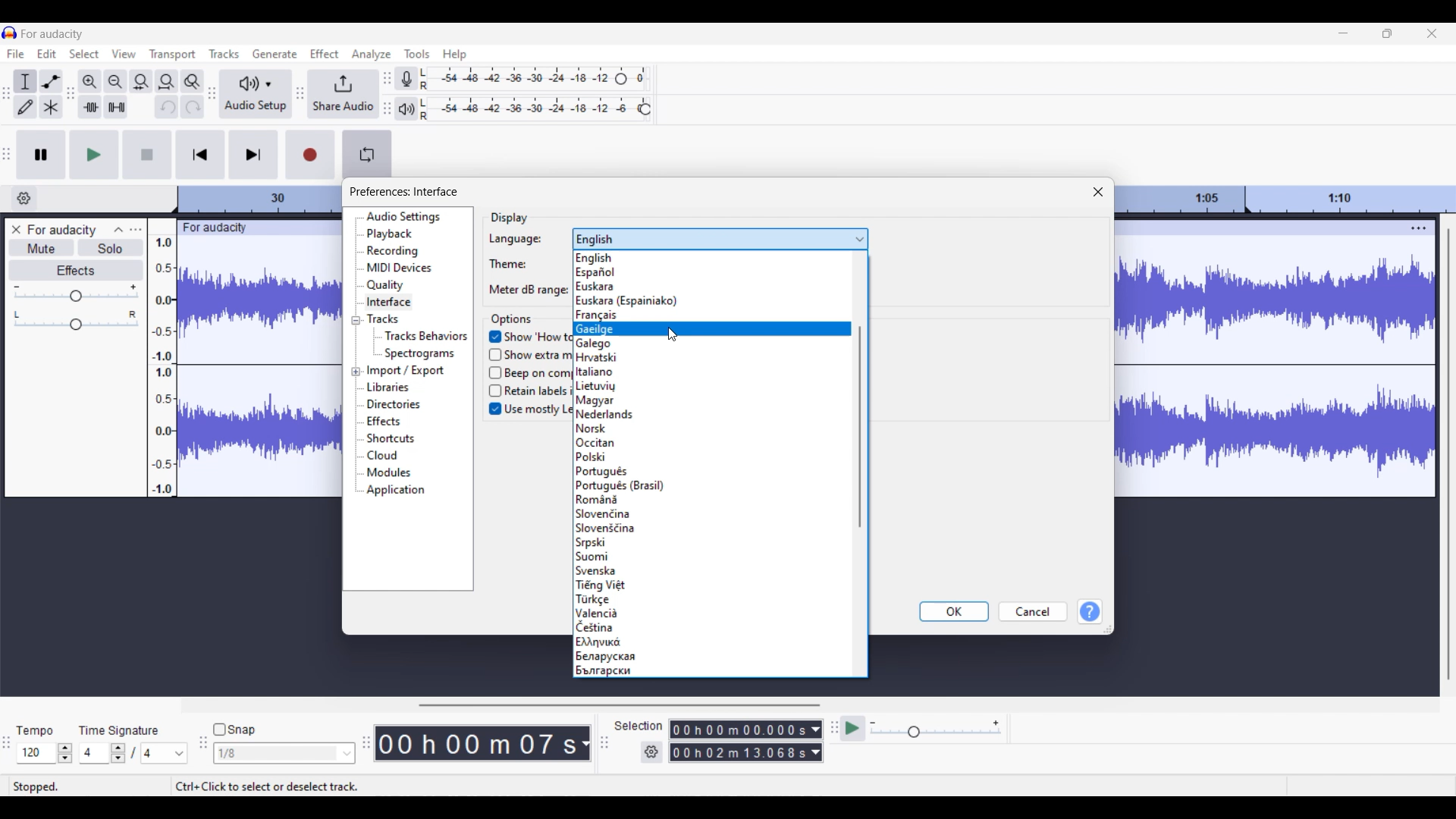 This screenshot has height=819, width=1456. Describe the element at coordinates (35, 732) in the screenshot. I see `tempo` at that location.